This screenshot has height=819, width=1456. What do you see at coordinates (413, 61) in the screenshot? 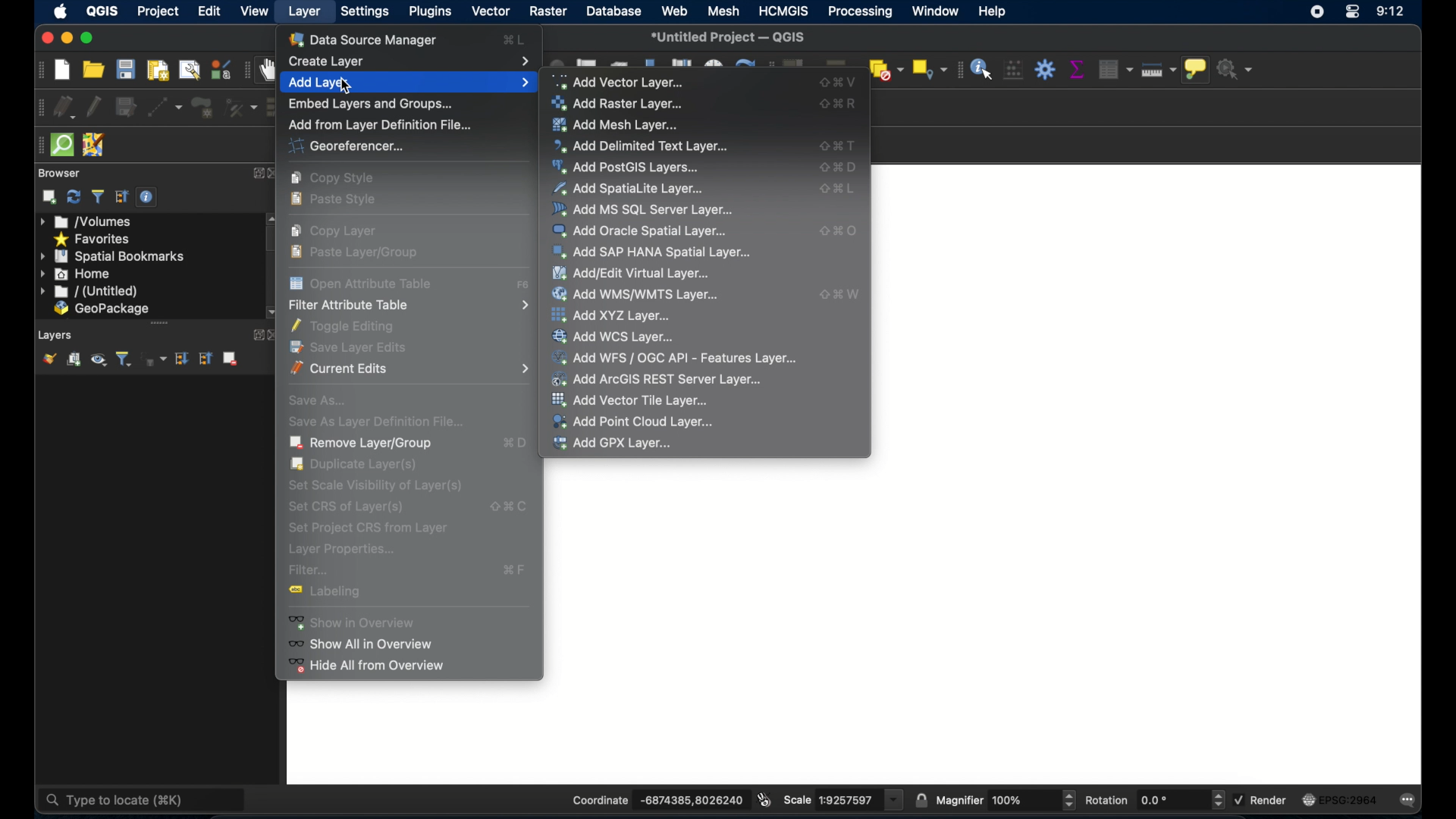
I see `Create Layer` at bounding box center [413, 61].